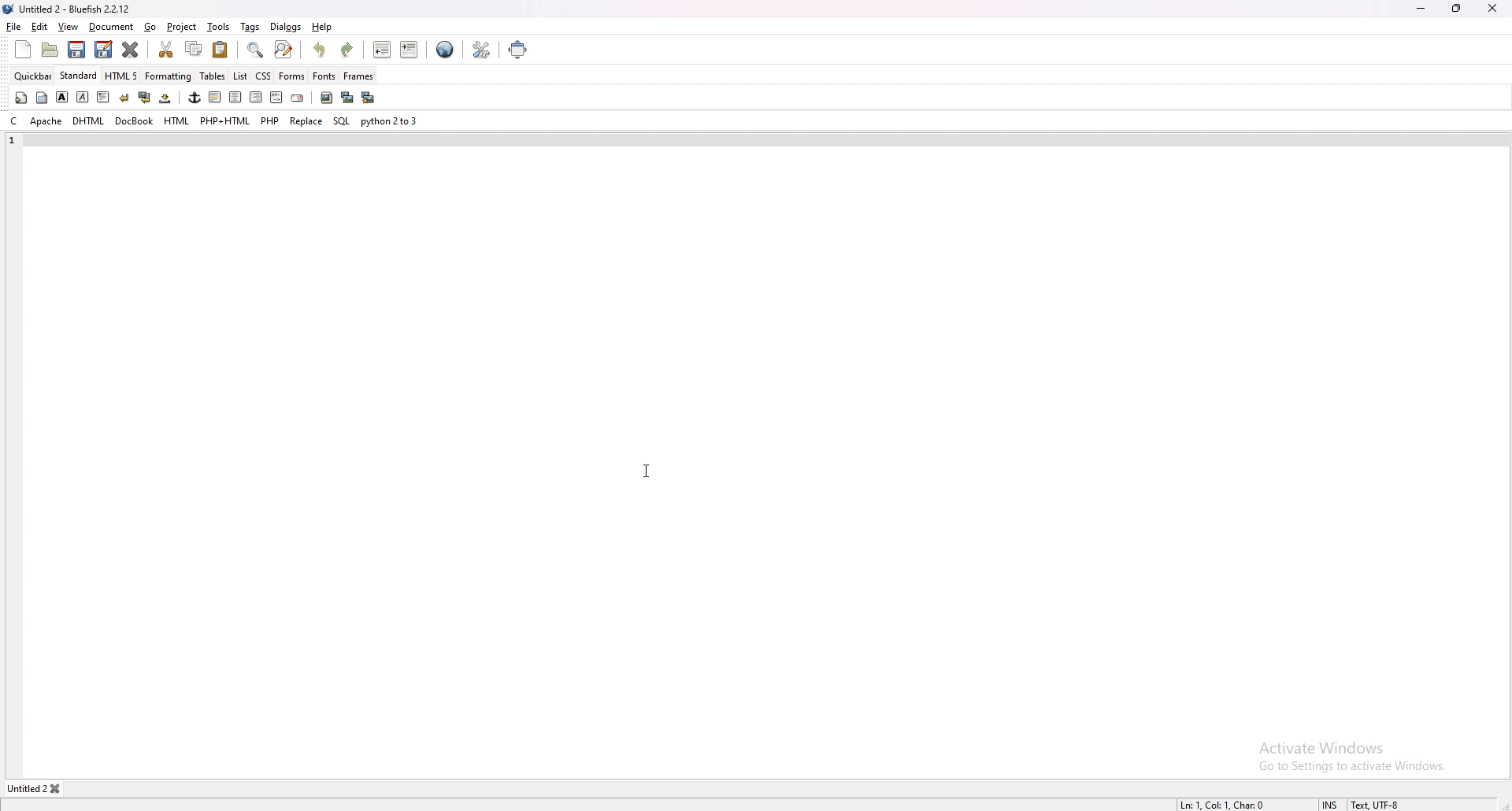 The width and height of the screenshot is (1512, 811). What do you see at coordinates (347, 98) in the screenshot?
I see `insert thumbnail` at bounding box center [347, 98].